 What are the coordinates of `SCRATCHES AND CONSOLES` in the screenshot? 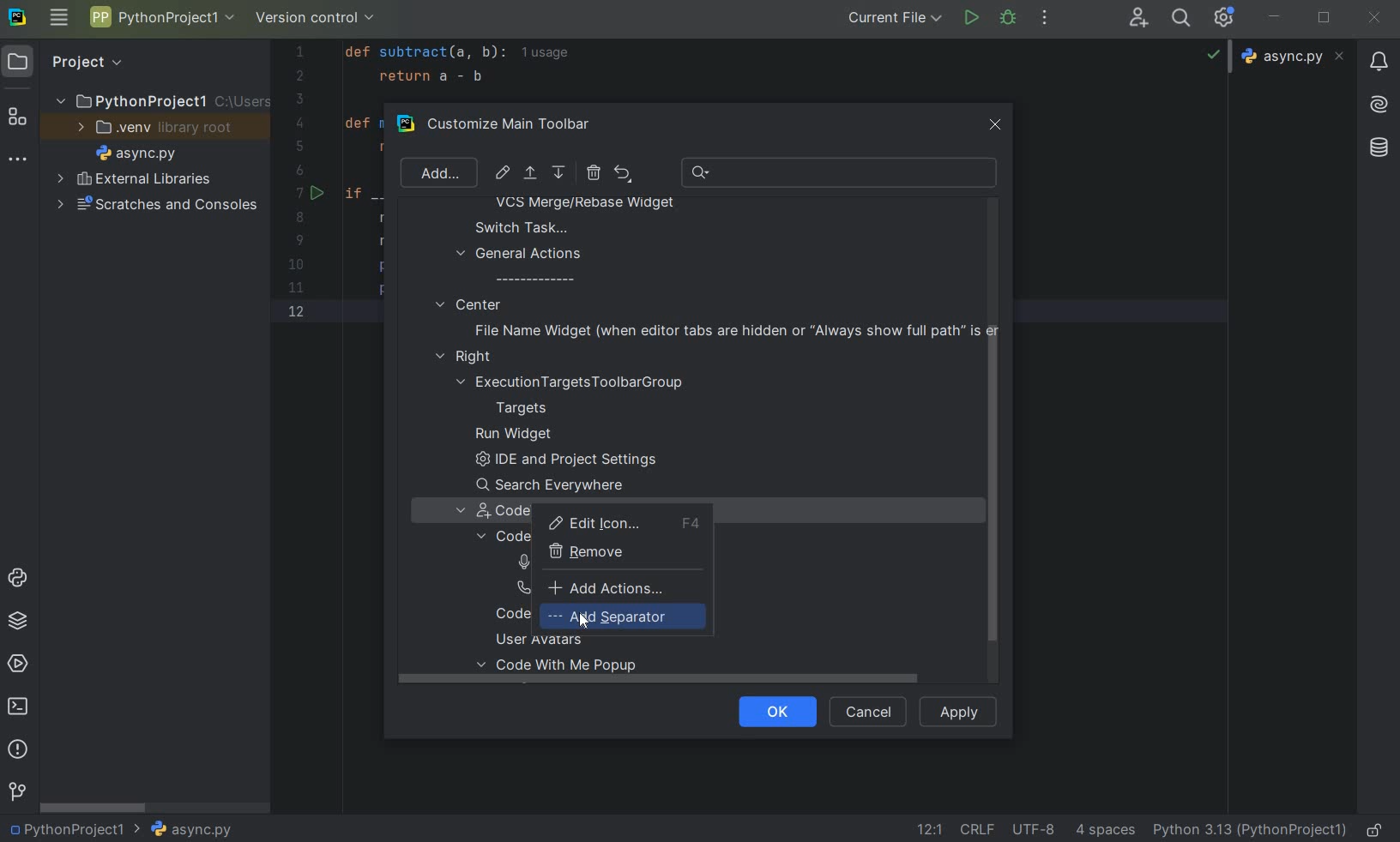 It's located at (158, 205).